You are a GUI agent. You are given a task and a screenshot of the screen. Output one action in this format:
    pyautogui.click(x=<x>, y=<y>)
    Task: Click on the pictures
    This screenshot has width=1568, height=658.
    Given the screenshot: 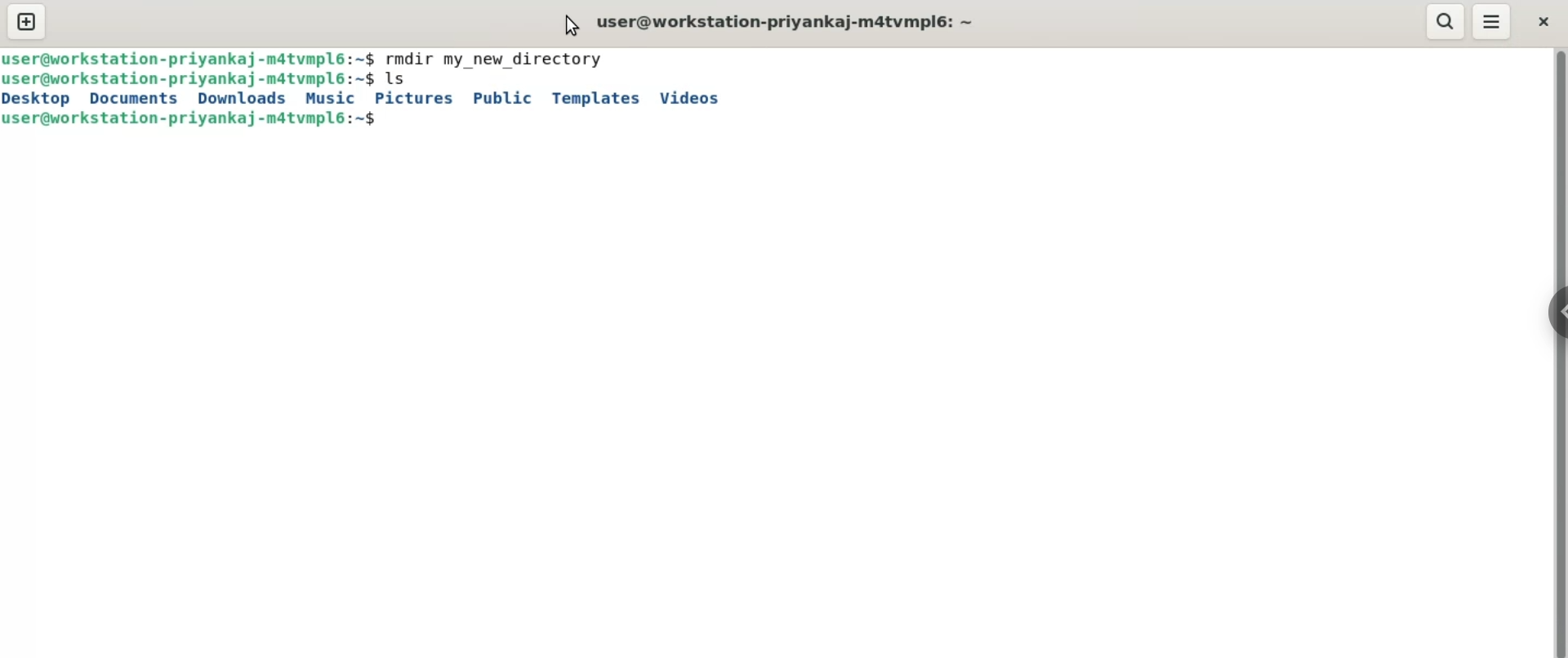 What is the action you would take?
    pyautogui.click(x=412, y=99)
    